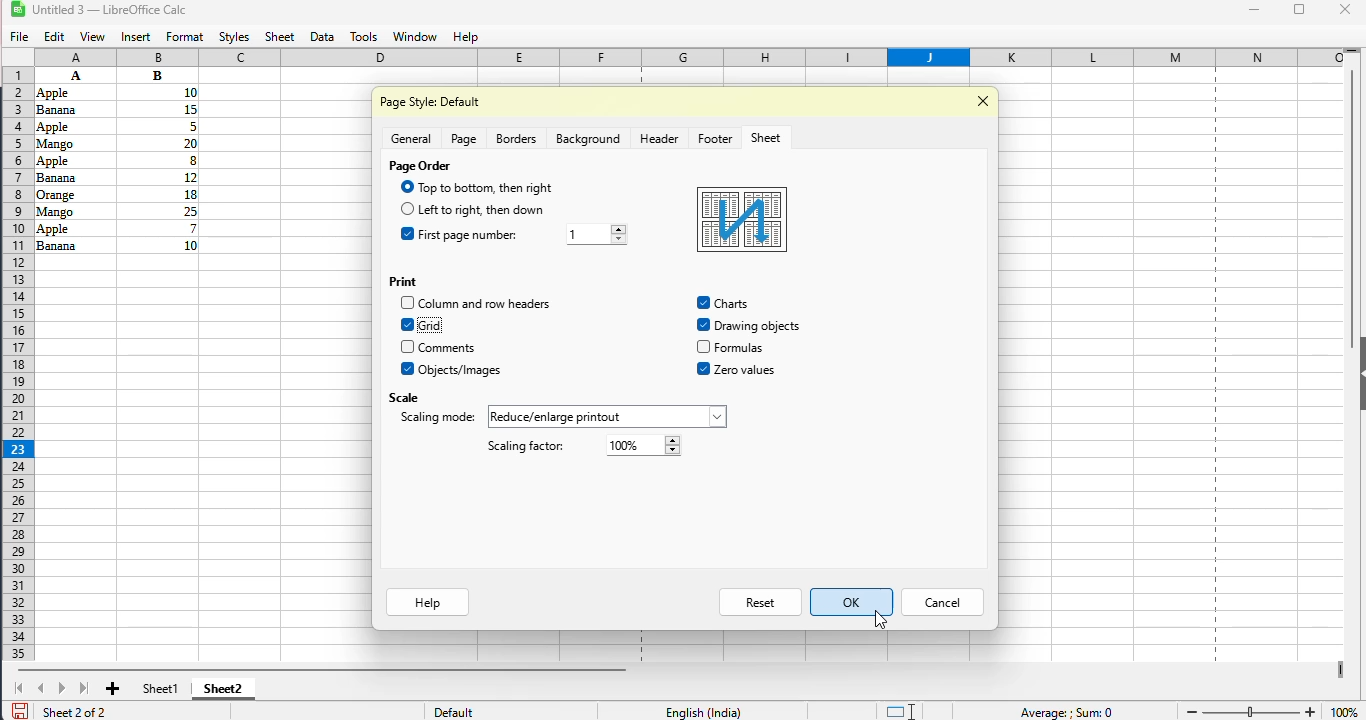 The width and height of the screenshot is (1366, 720). I want to click on view, so click(92, 37).